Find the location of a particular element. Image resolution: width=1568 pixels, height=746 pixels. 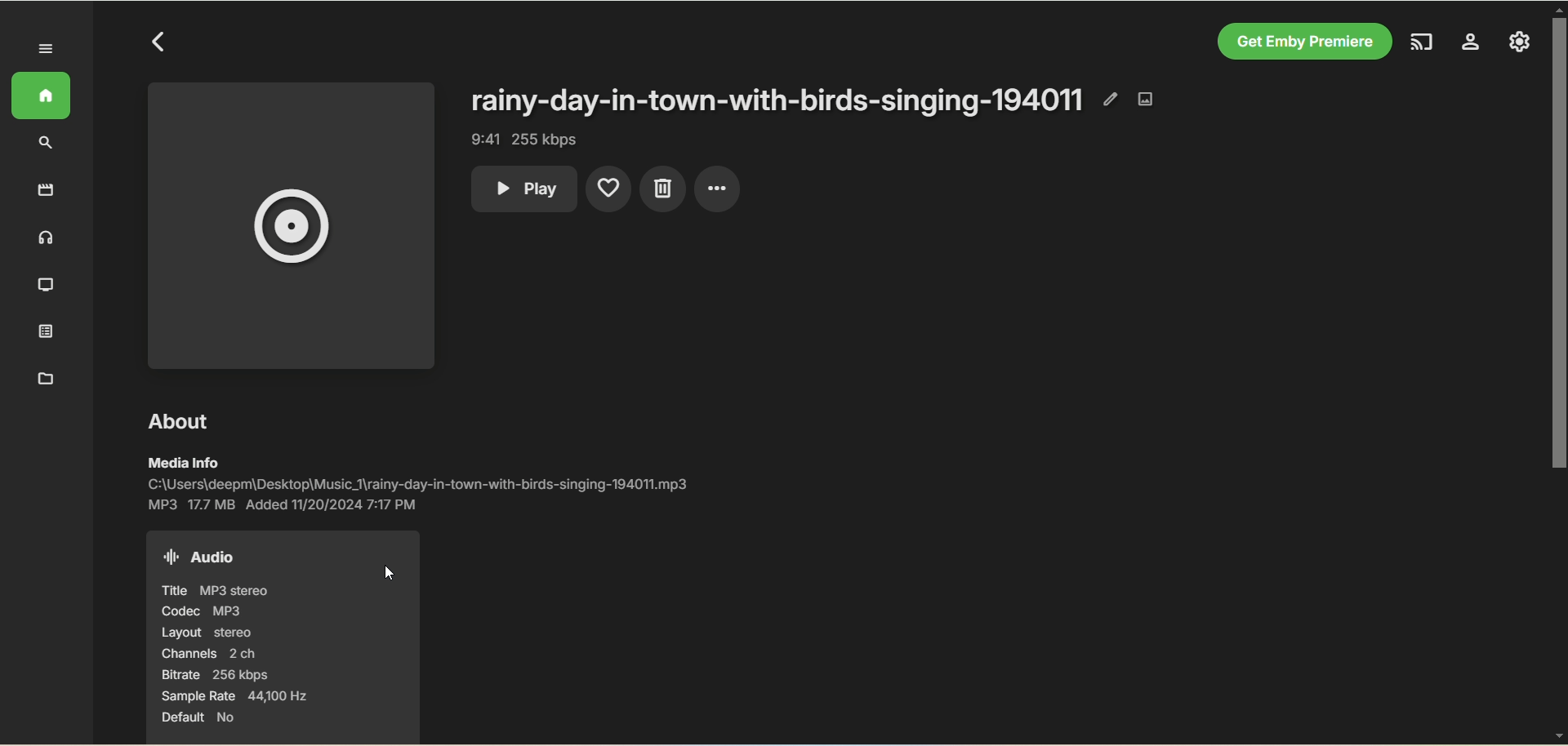

vertical scroll bar is located at coordinates (1558, 374).